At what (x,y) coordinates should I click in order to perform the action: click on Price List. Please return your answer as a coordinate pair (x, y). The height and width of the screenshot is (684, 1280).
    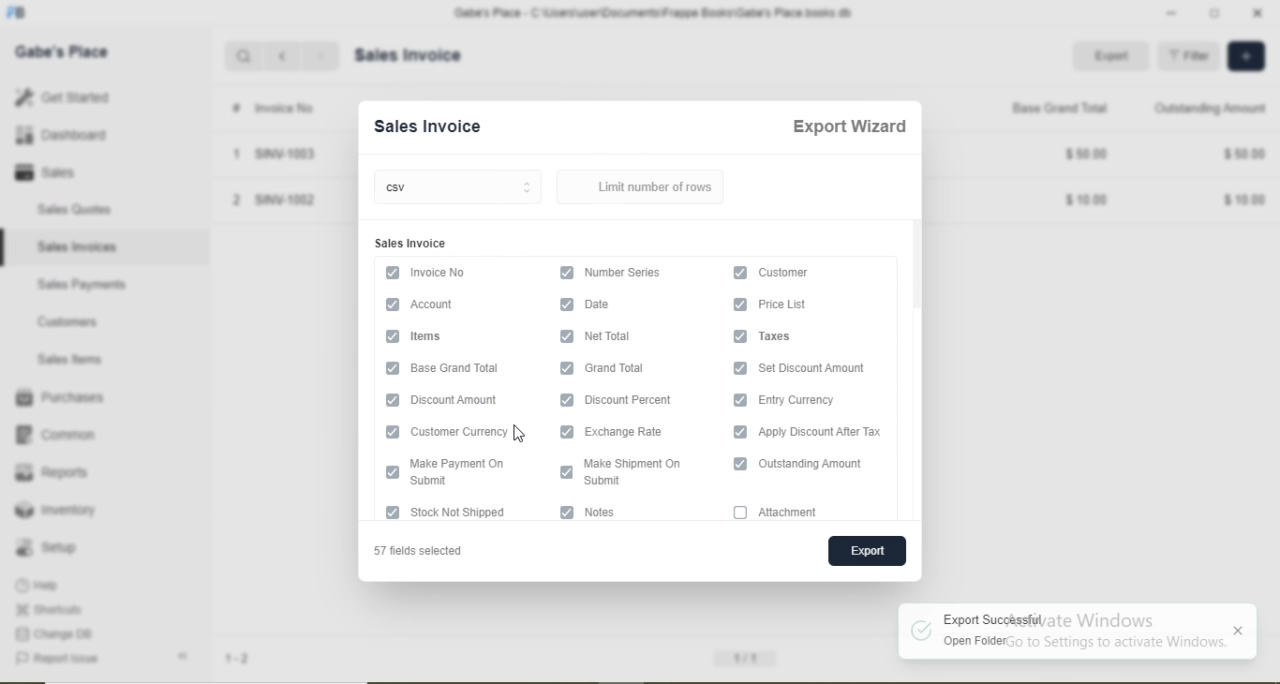
    Looking at the image, I should click on (797, 304).